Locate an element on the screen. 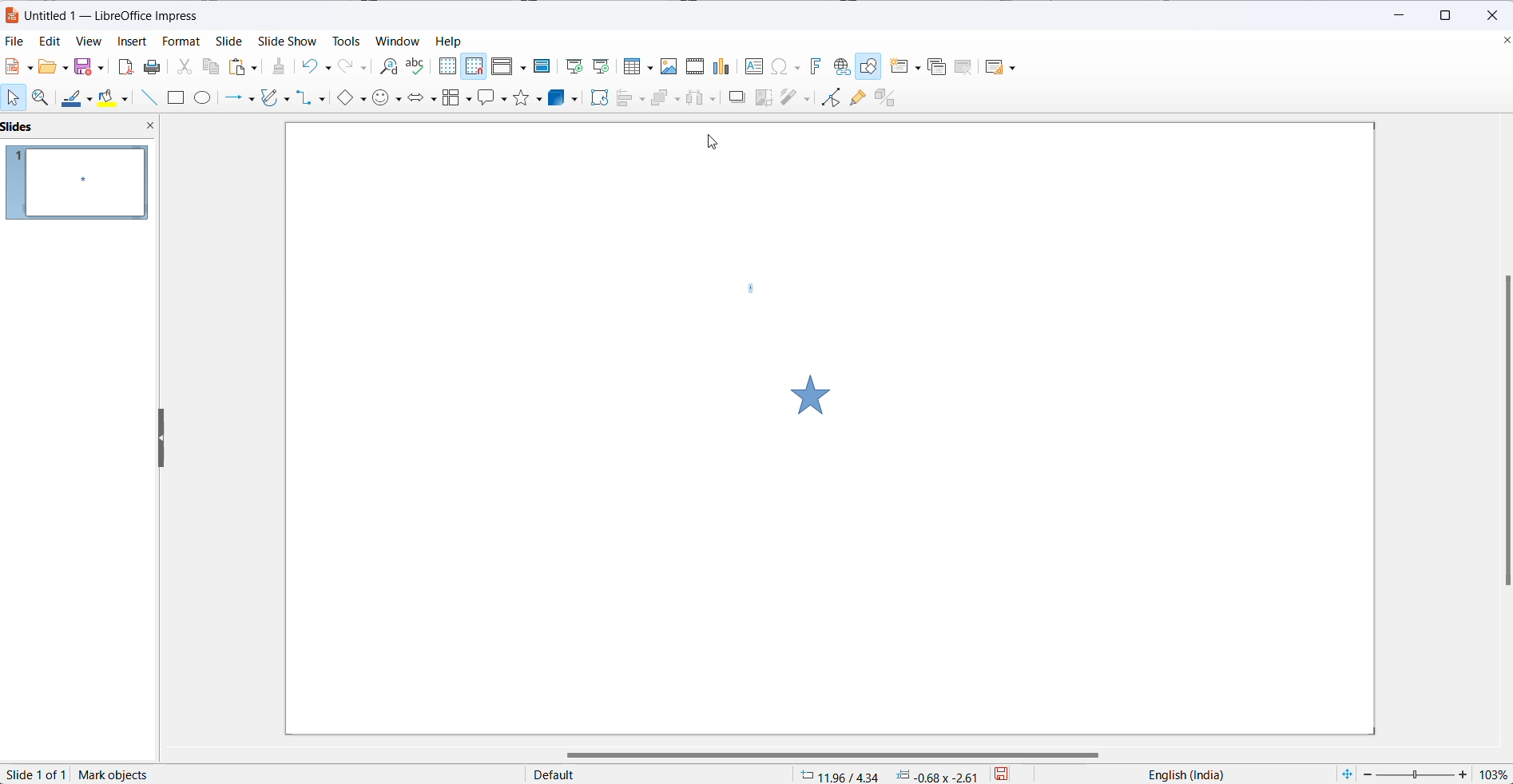 The image size is (1513, 784). zoom percentage is located at coordinates (1495, 774).